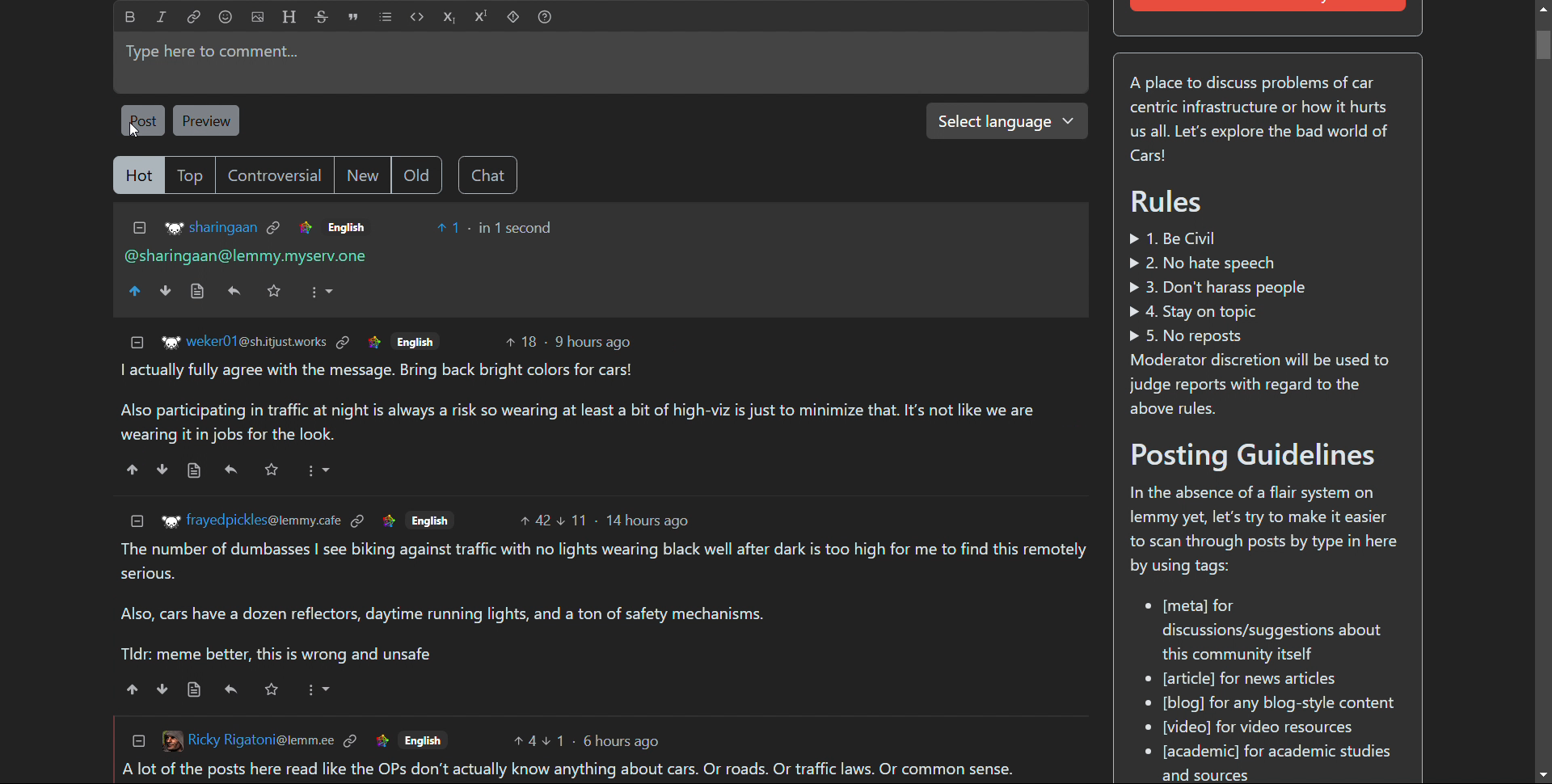 The height and width of the screenshot is (784, 1552). I want to click on Link, so click(275, 226).